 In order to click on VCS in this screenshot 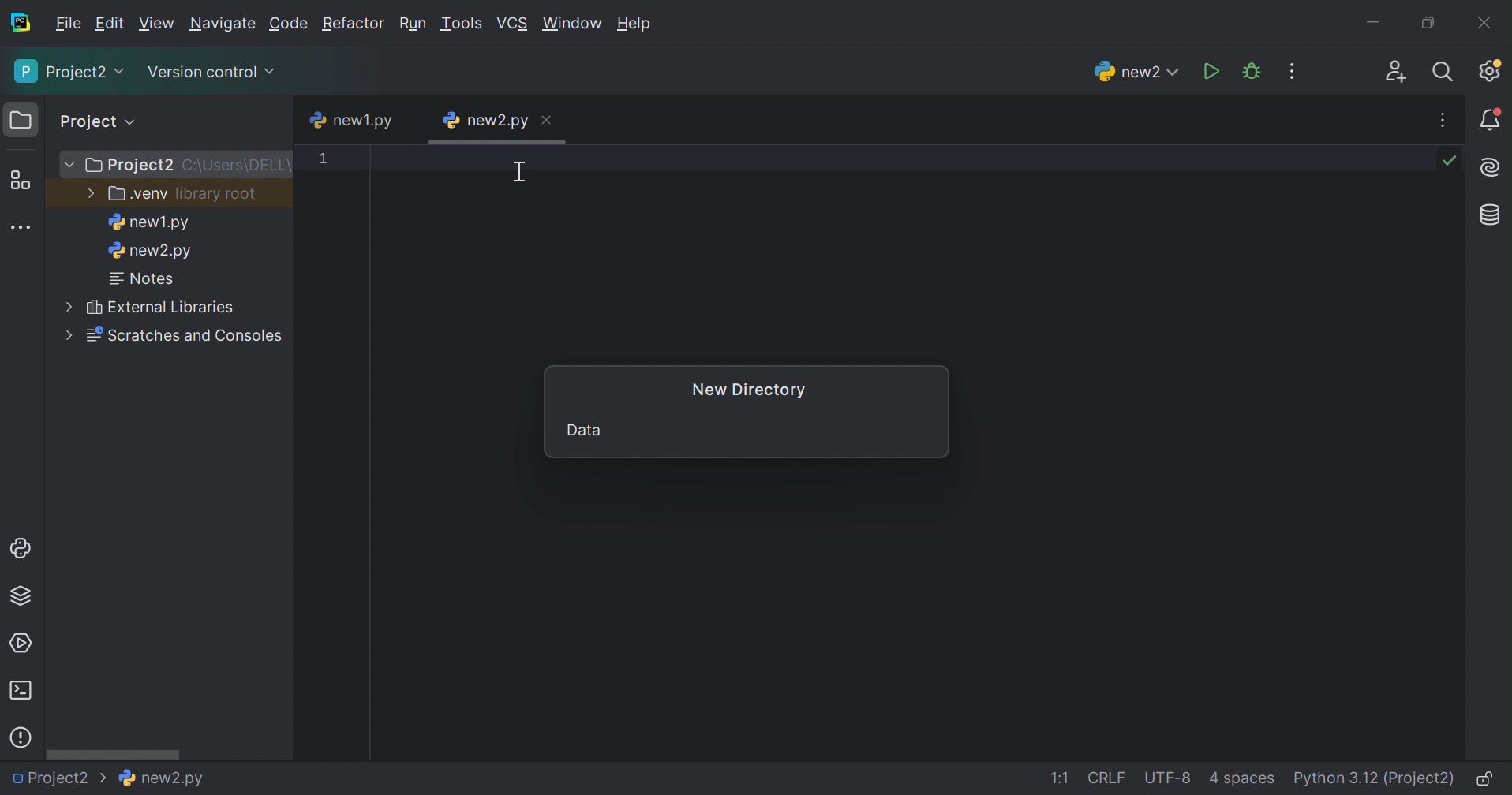, I will do `click(515, 22)`.